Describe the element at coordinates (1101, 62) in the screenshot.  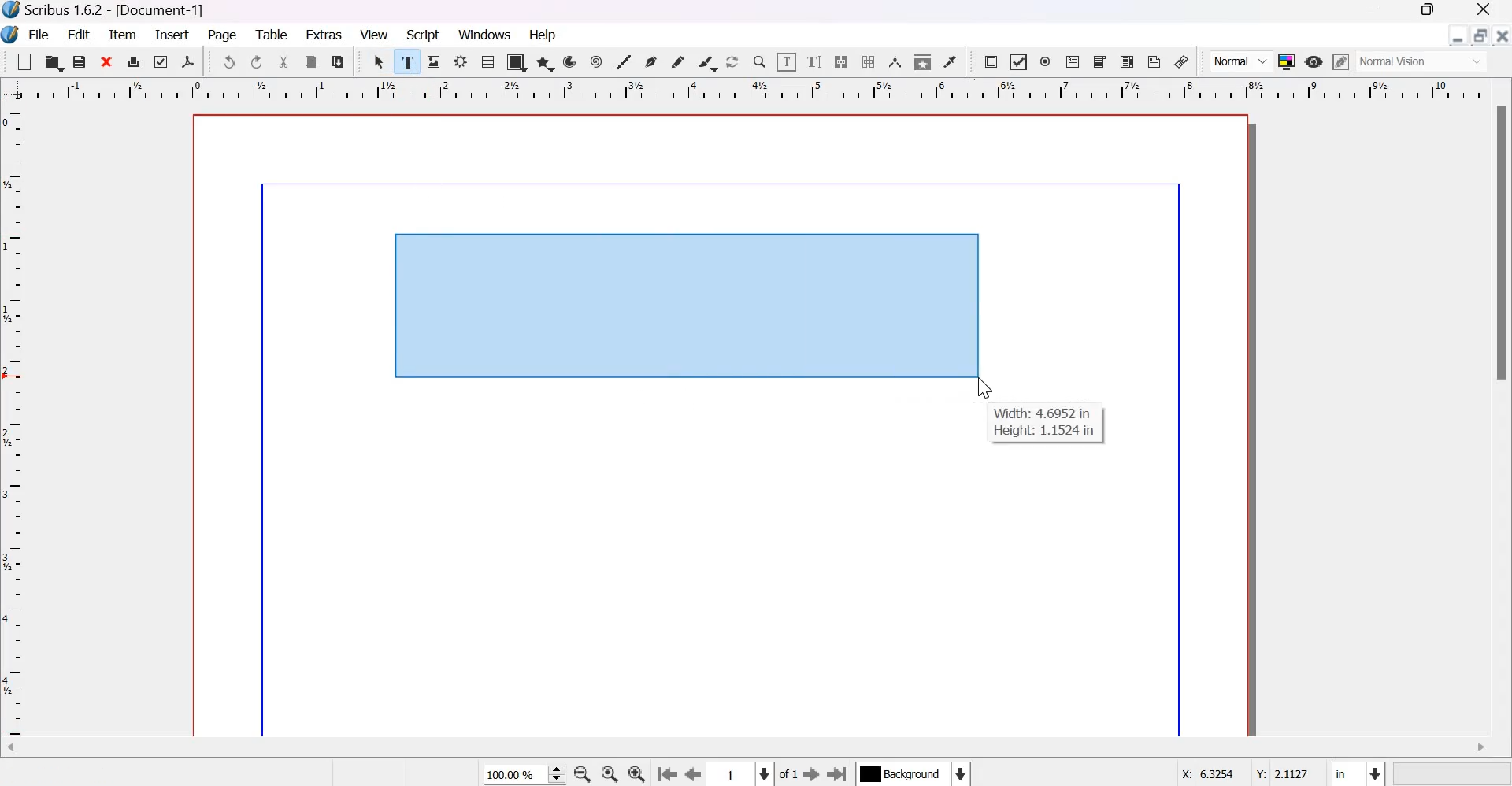
I see `PDF Combo Box` at that location.